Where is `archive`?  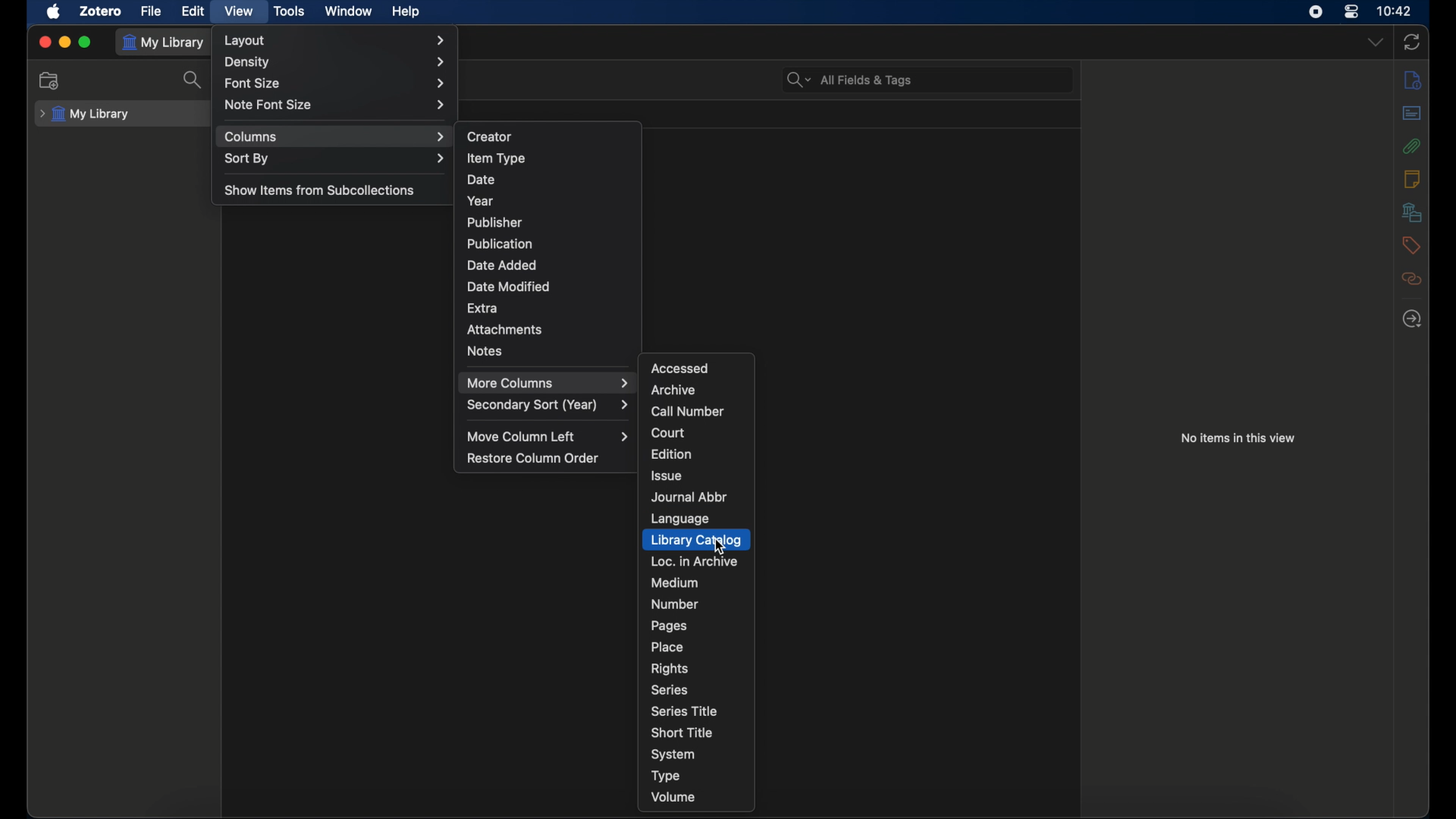
archive is located at coordinates (673, 389).